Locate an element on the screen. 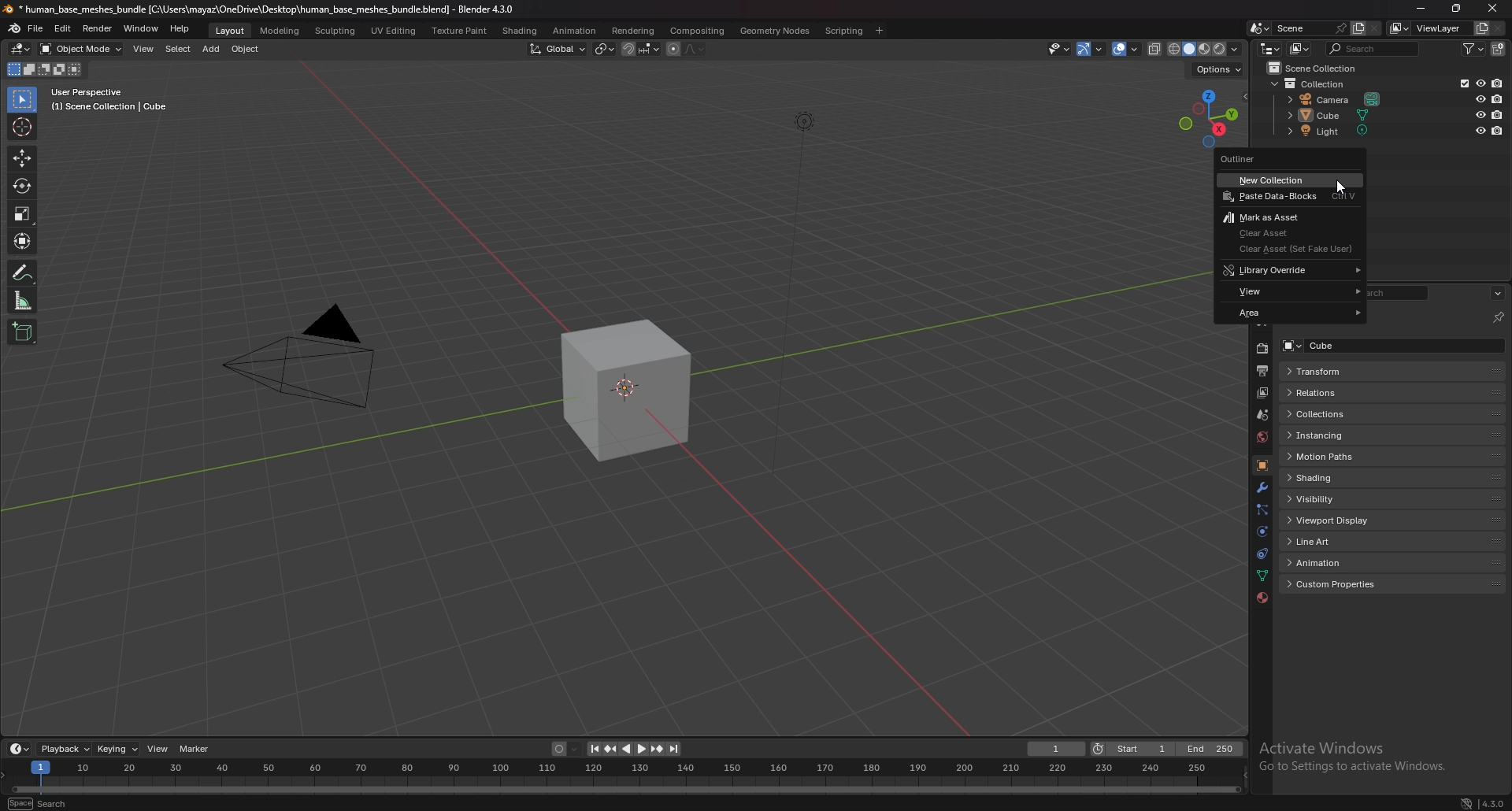 This screenshot has height=811, width=1512. transform orientation is located at coordinates (558, 49).